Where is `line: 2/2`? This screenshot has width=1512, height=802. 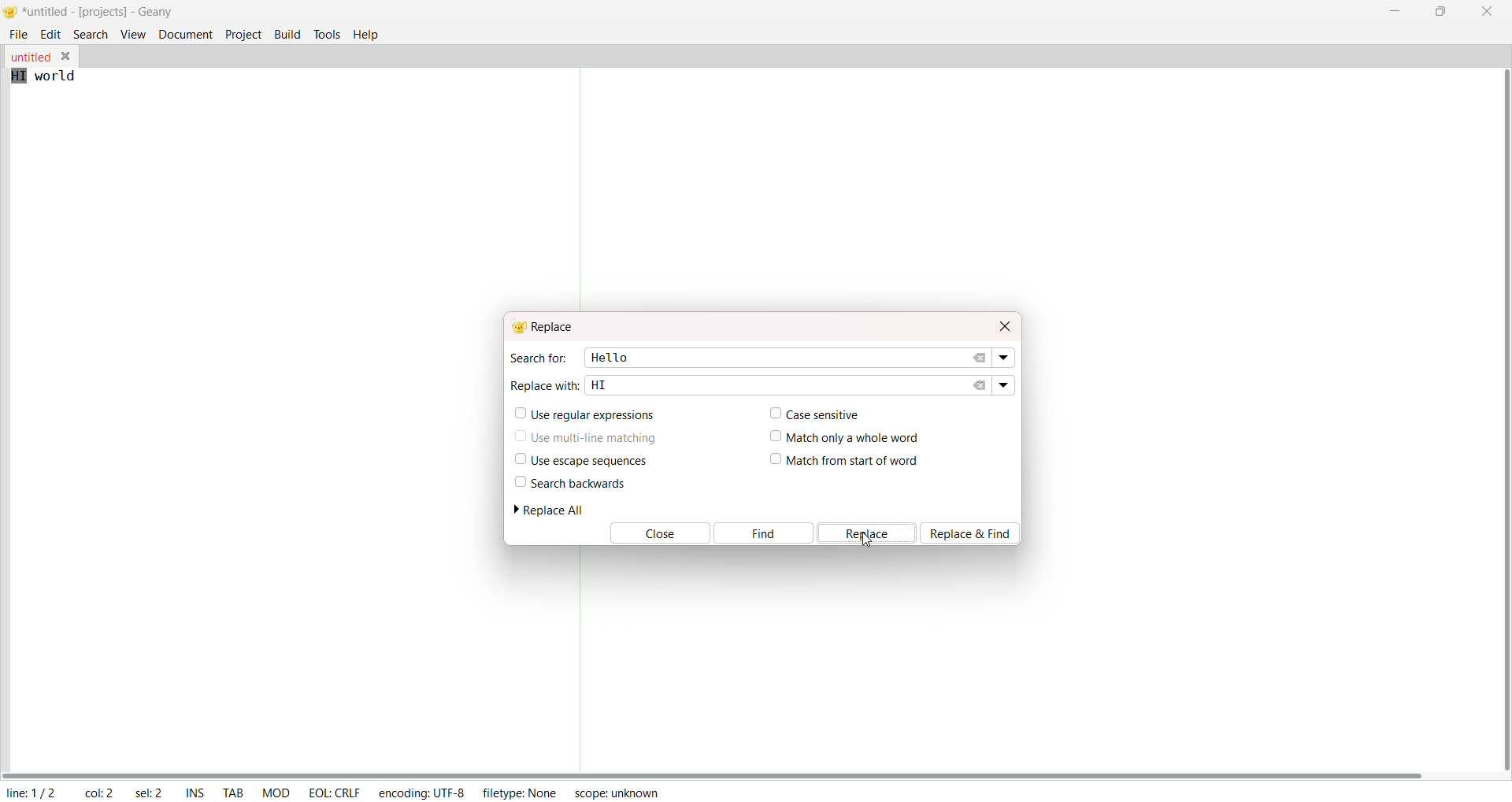
line: 2/2 is located at coordinates (30, 793).